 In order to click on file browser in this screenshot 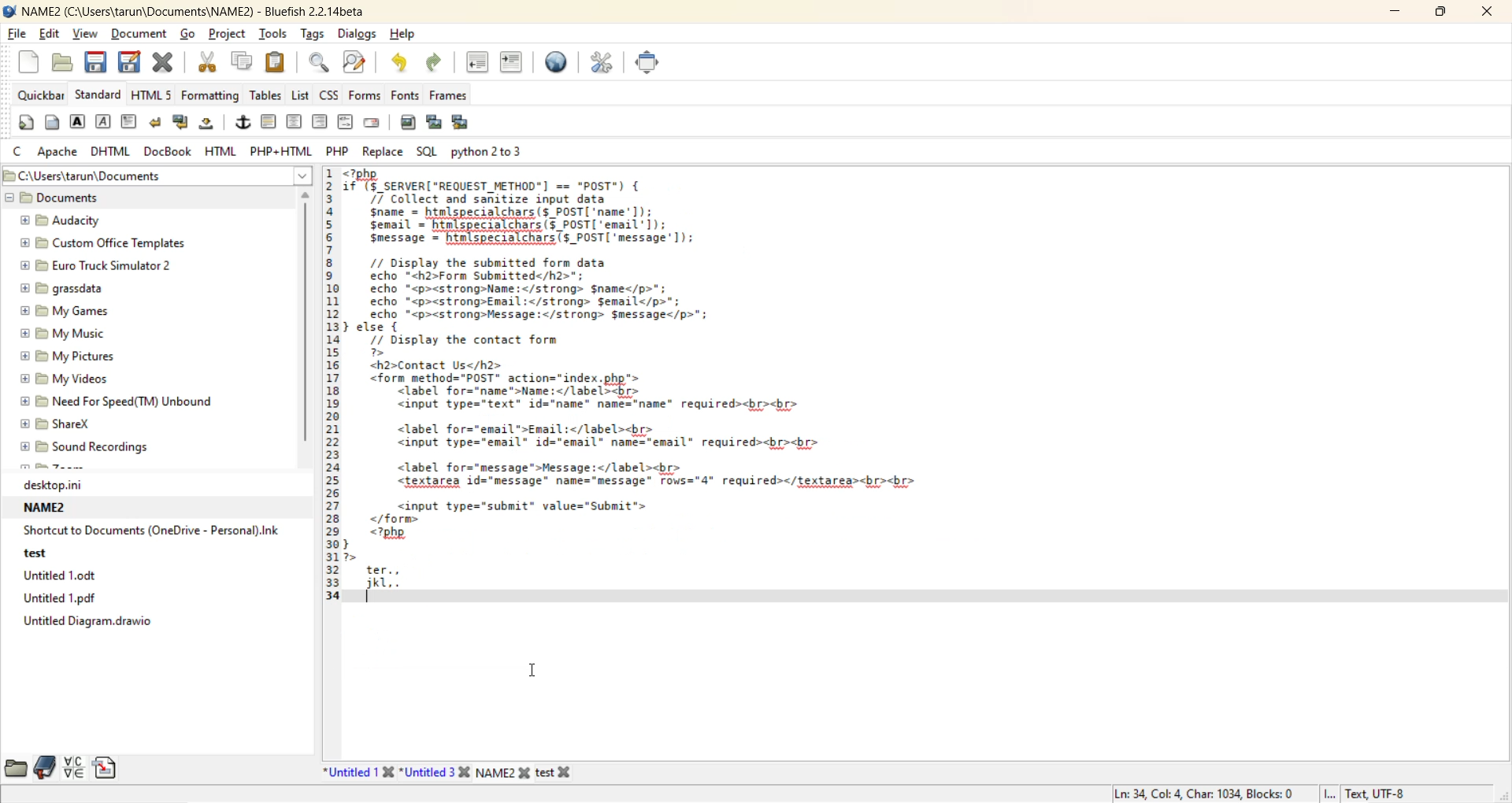, I will do `click(16, 769)`.